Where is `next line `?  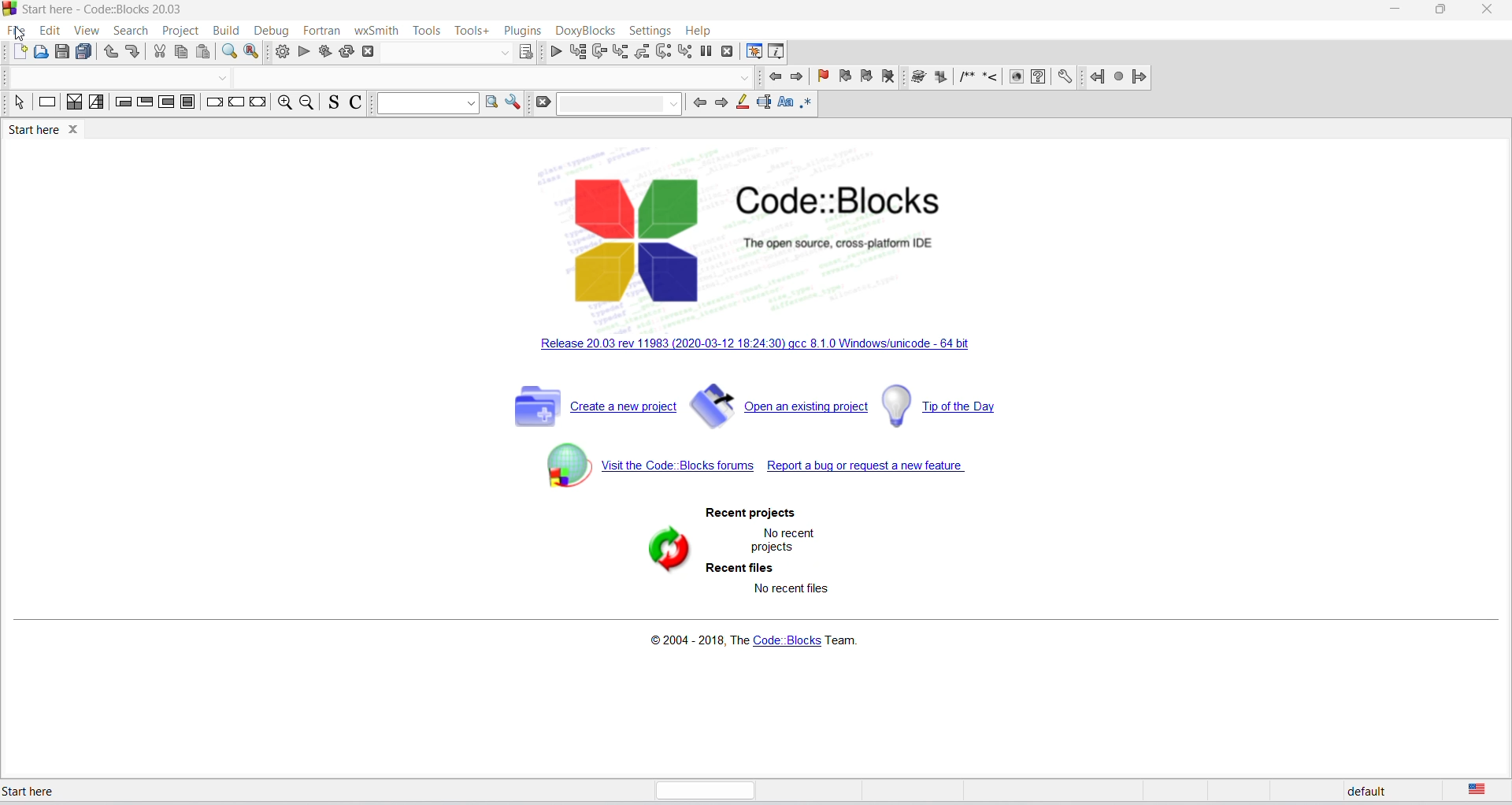 next line  is located at coordinates (598, 52).